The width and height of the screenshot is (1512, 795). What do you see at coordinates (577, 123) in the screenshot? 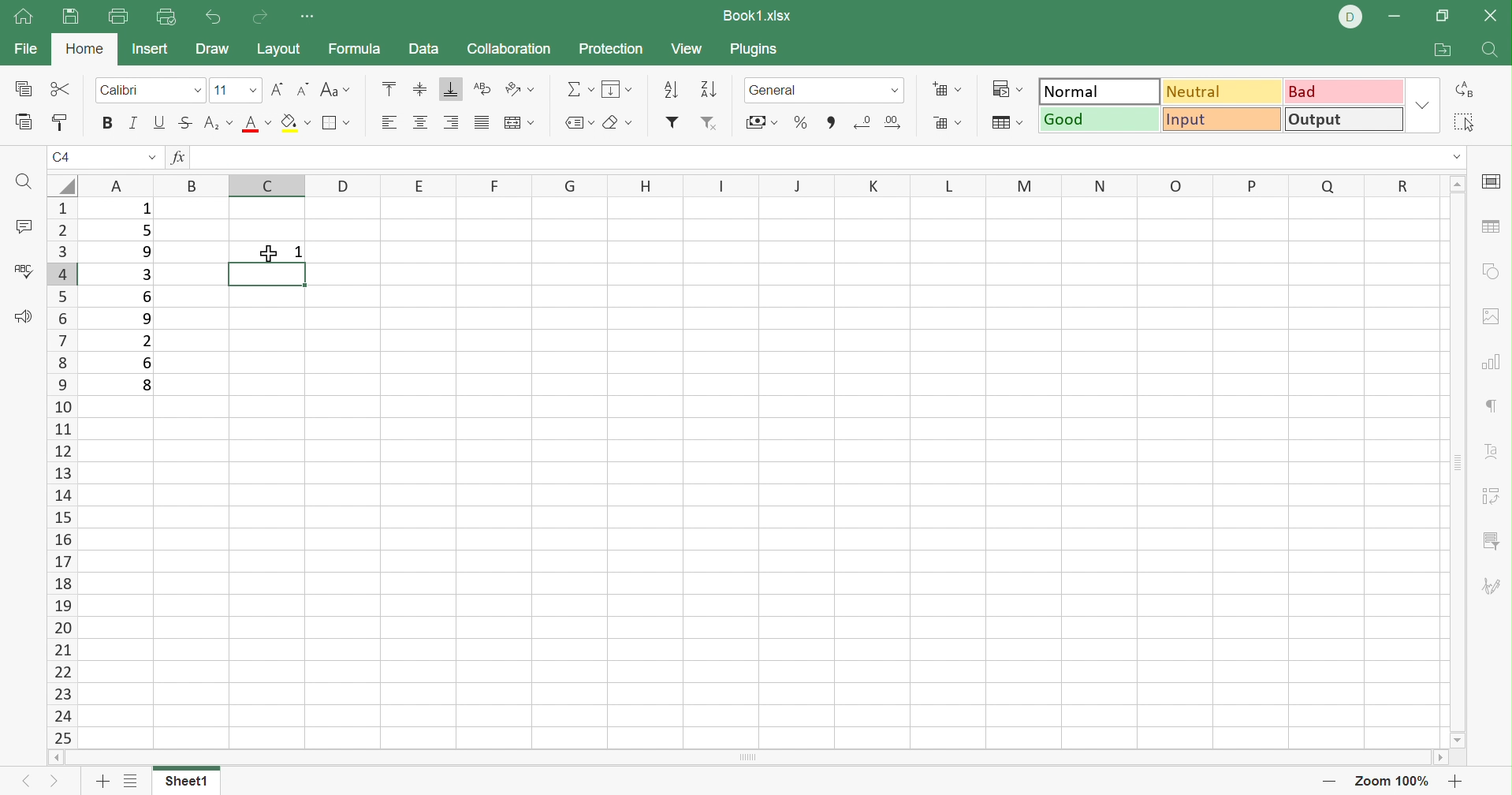
I see `Named ranges` at bounding box center [577, 123].